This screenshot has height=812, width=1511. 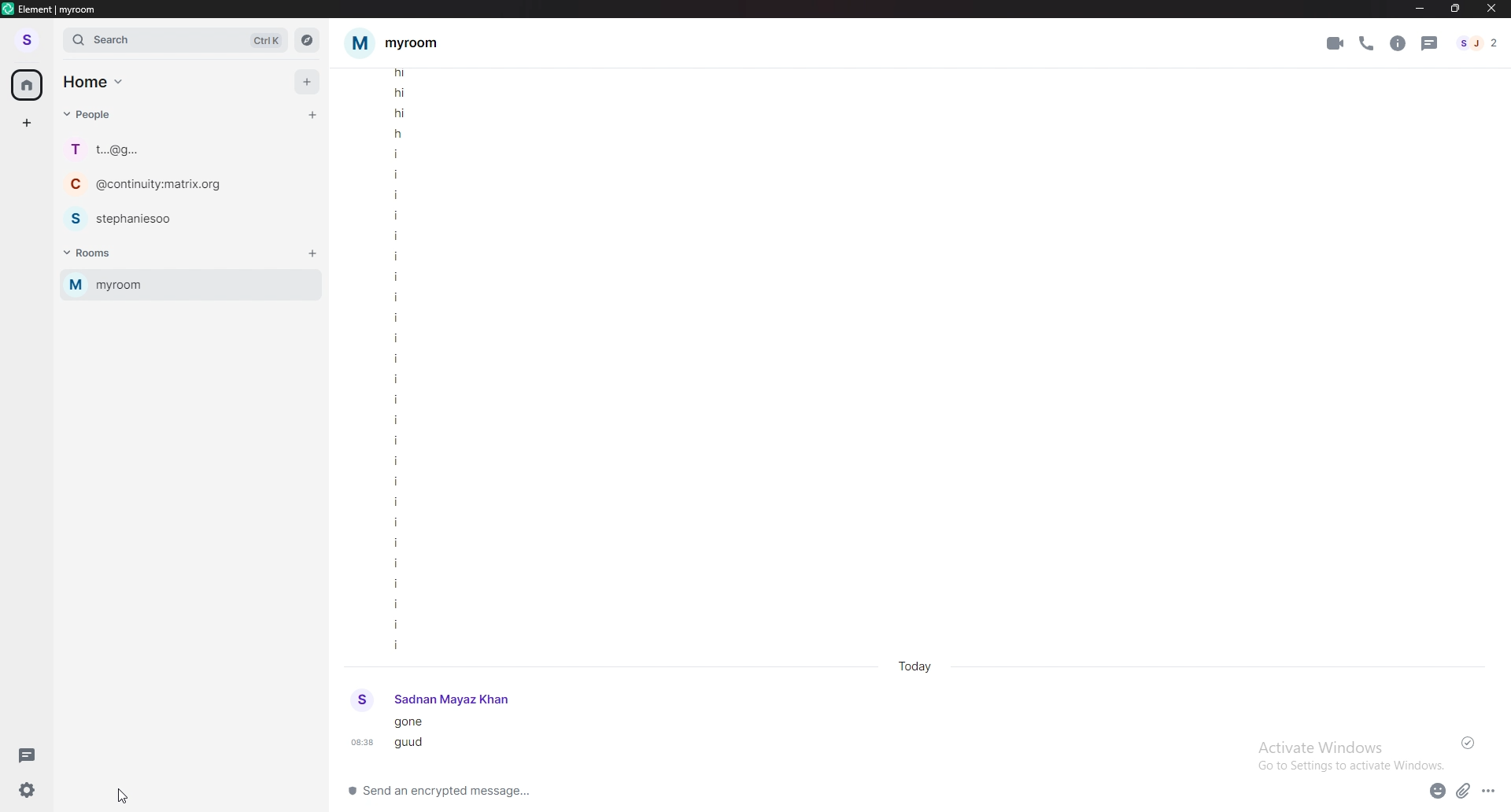 I want to click on room, so click(x=407, y=42).